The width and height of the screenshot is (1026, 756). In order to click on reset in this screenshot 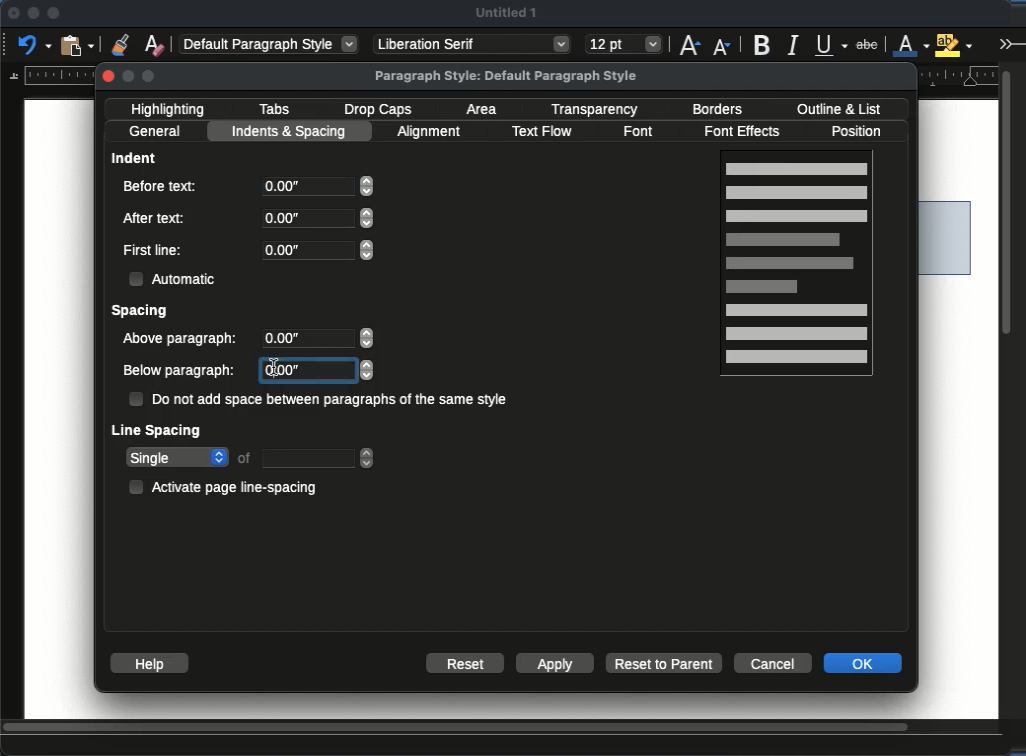, I will do `click(466, 662)`.